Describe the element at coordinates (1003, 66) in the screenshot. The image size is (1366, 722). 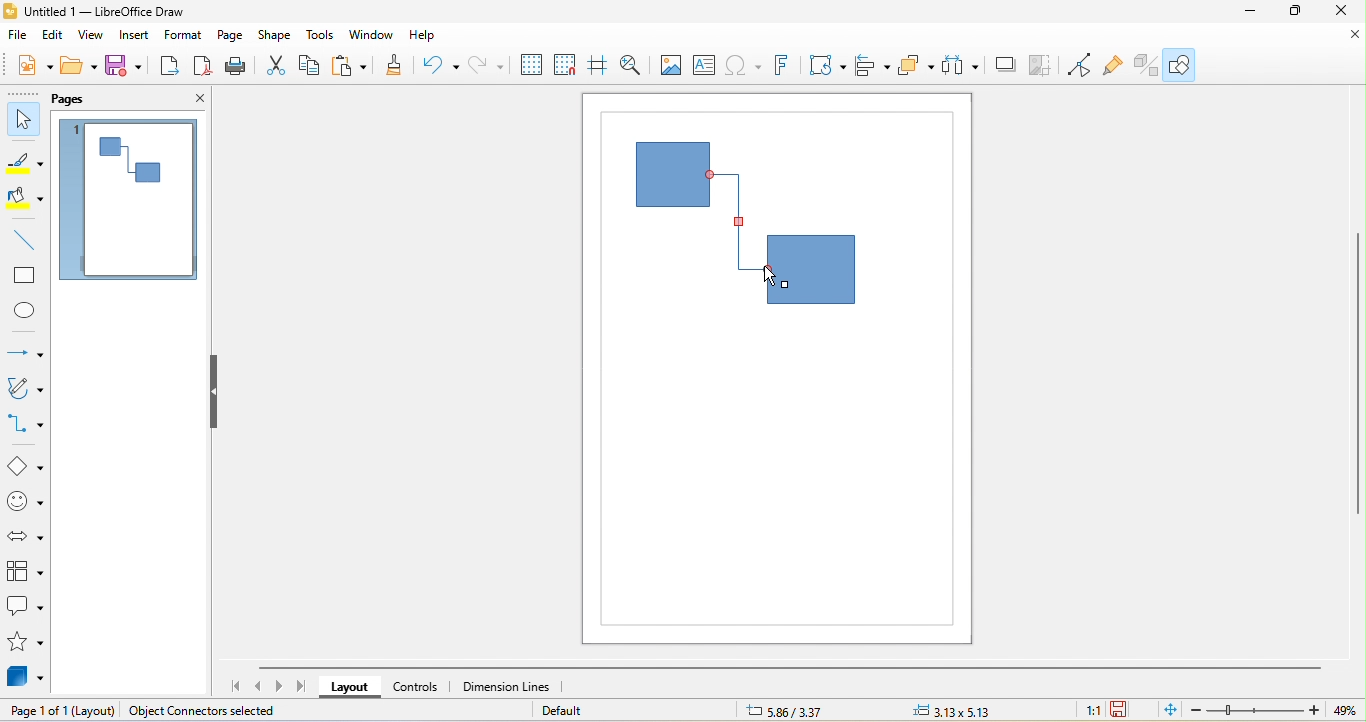
I see `shadow` at that location.